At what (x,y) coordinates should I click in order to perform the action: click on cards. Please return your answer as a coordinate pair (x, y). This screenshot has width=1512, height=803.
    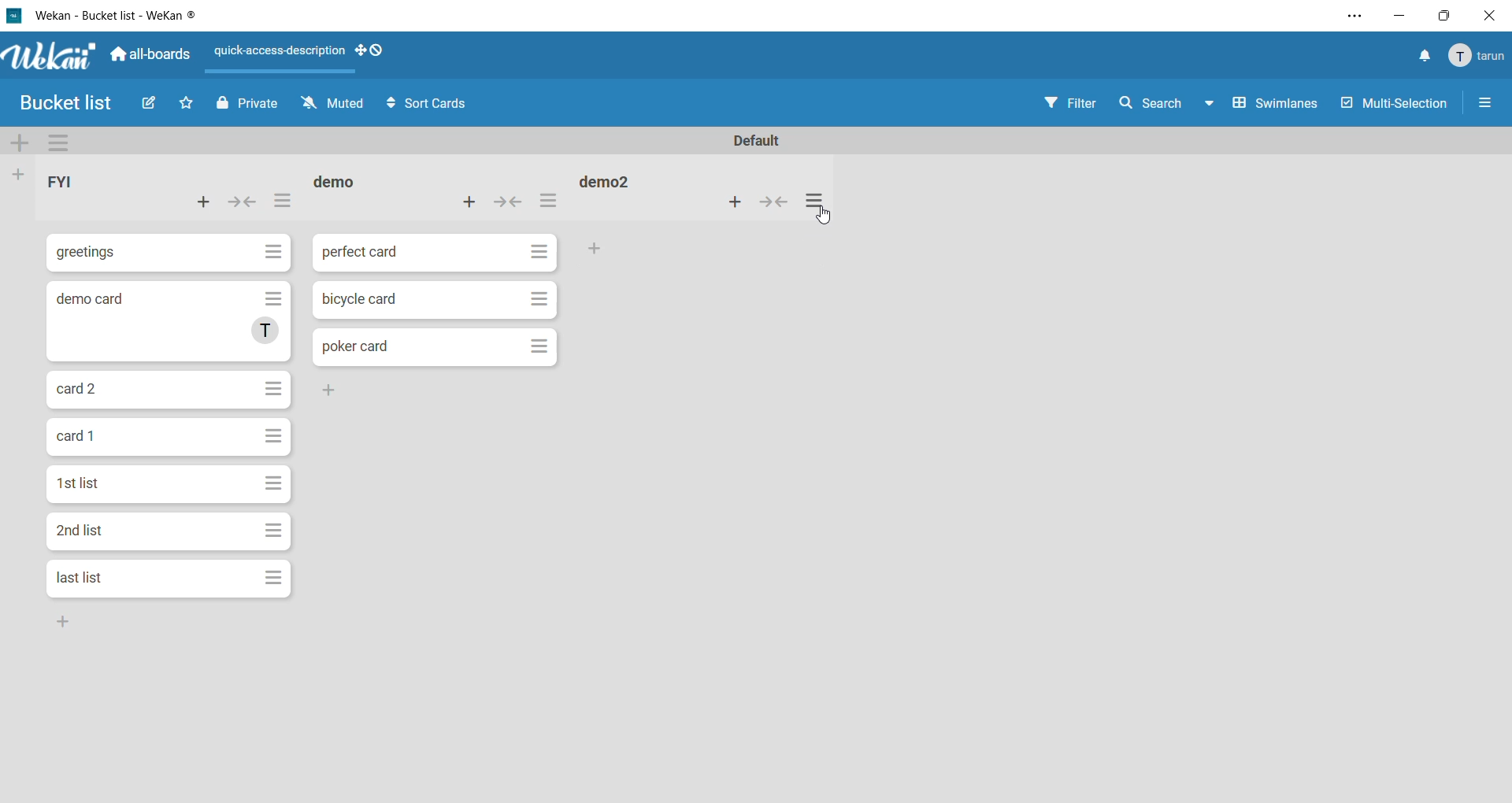
    Looking at the image, I should click on (165, 253).